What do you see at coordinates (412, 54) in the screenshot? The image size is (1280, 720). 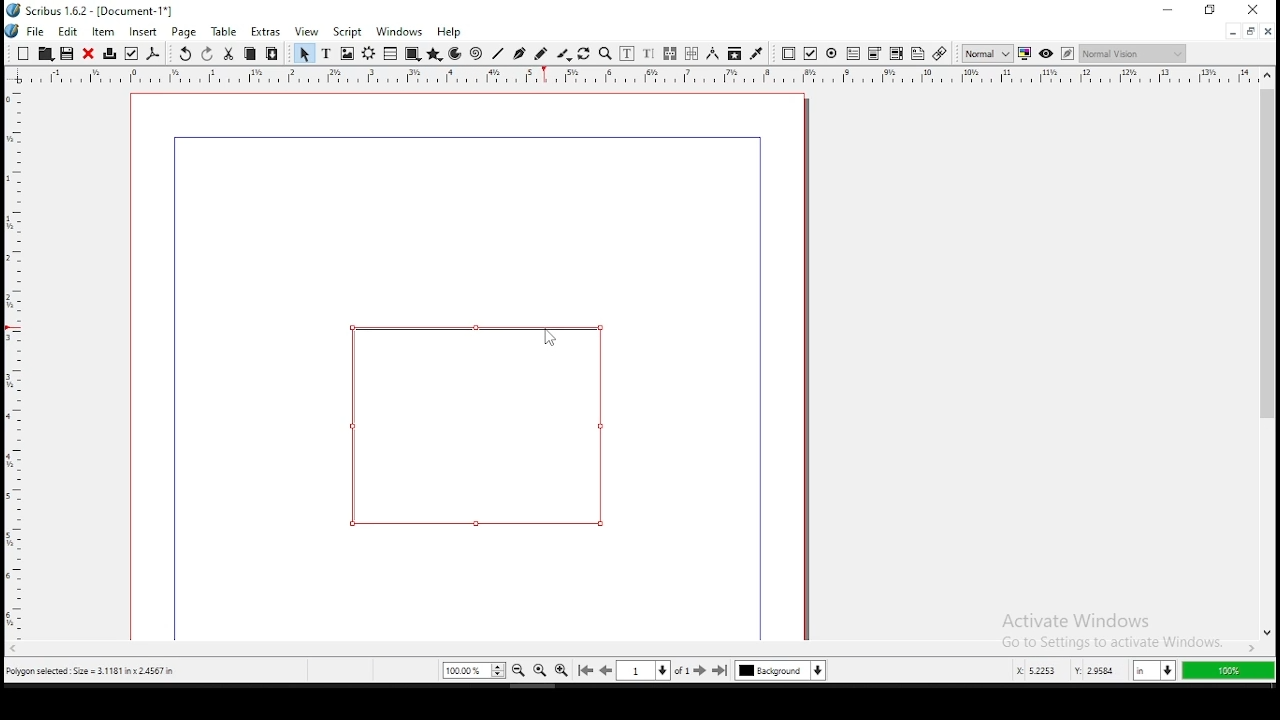 I see `shape` at bounding box center [412, 54].